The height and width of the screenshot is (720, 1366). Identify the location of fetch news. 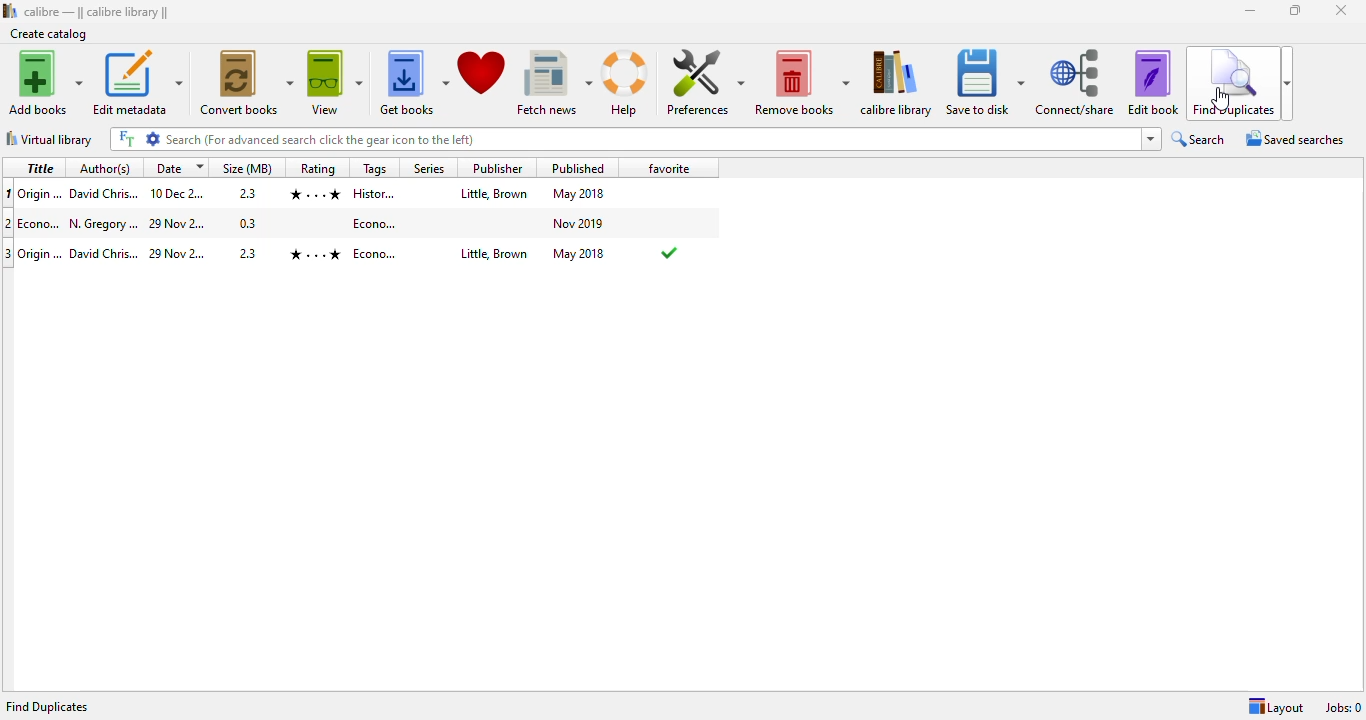
(556, 83).